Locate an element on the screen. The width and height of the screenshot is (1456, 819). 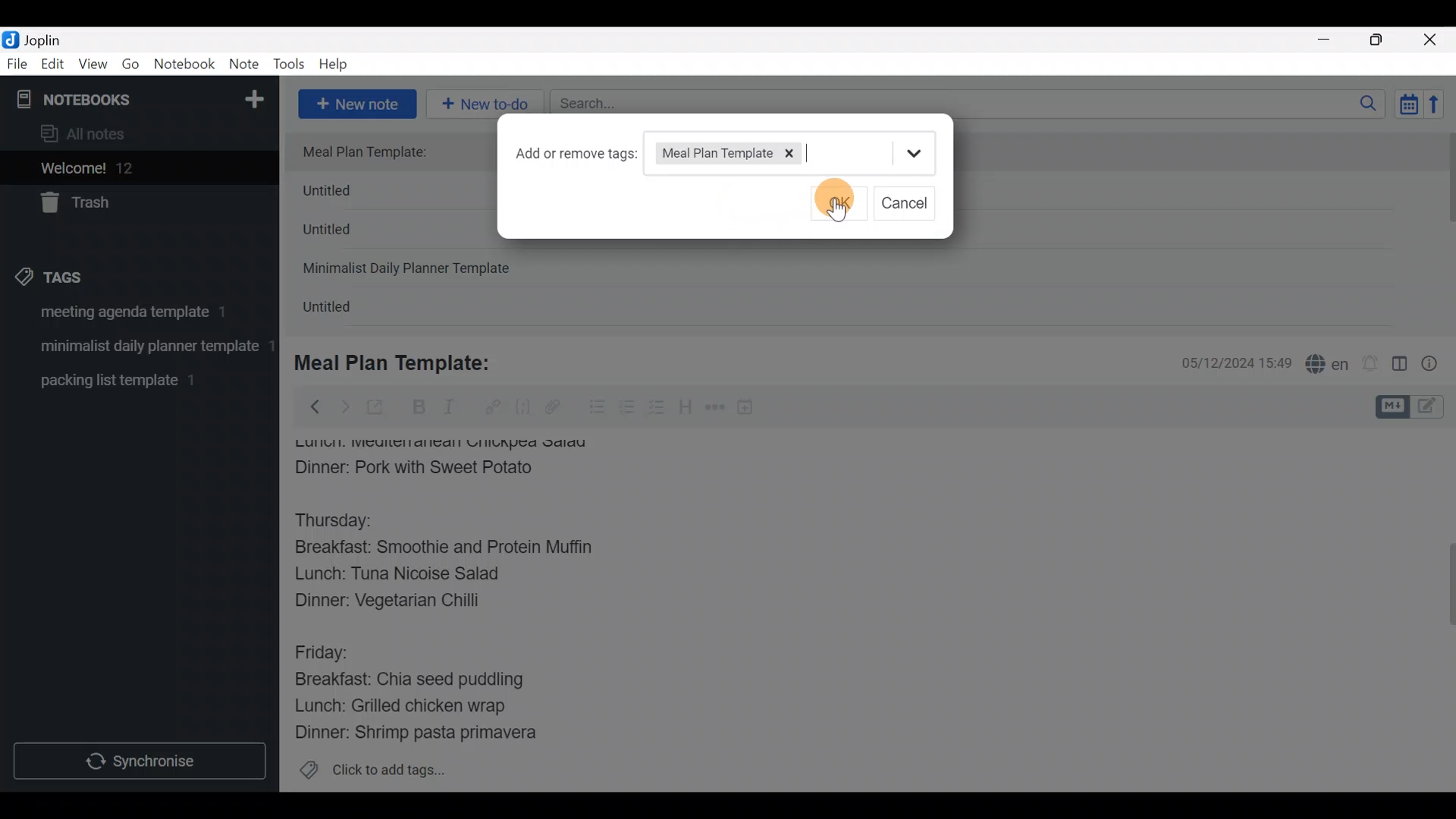
View is located at coordinates (93, 67).